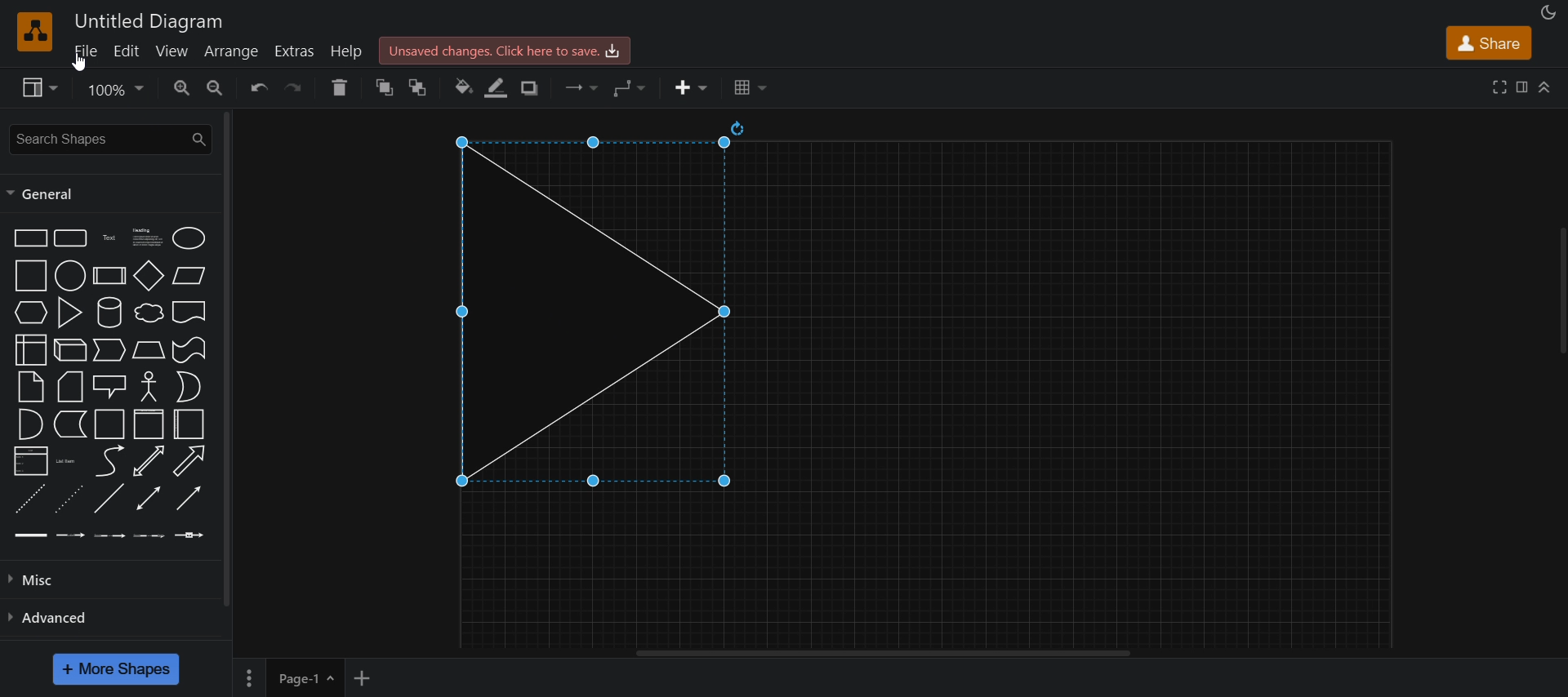 Image resolution: width=1568 pixels, height=697 pixels. What do you see at coordinates (72, 535) in the screenshot?
I see `connector with label` at bounding box center [72, 535].